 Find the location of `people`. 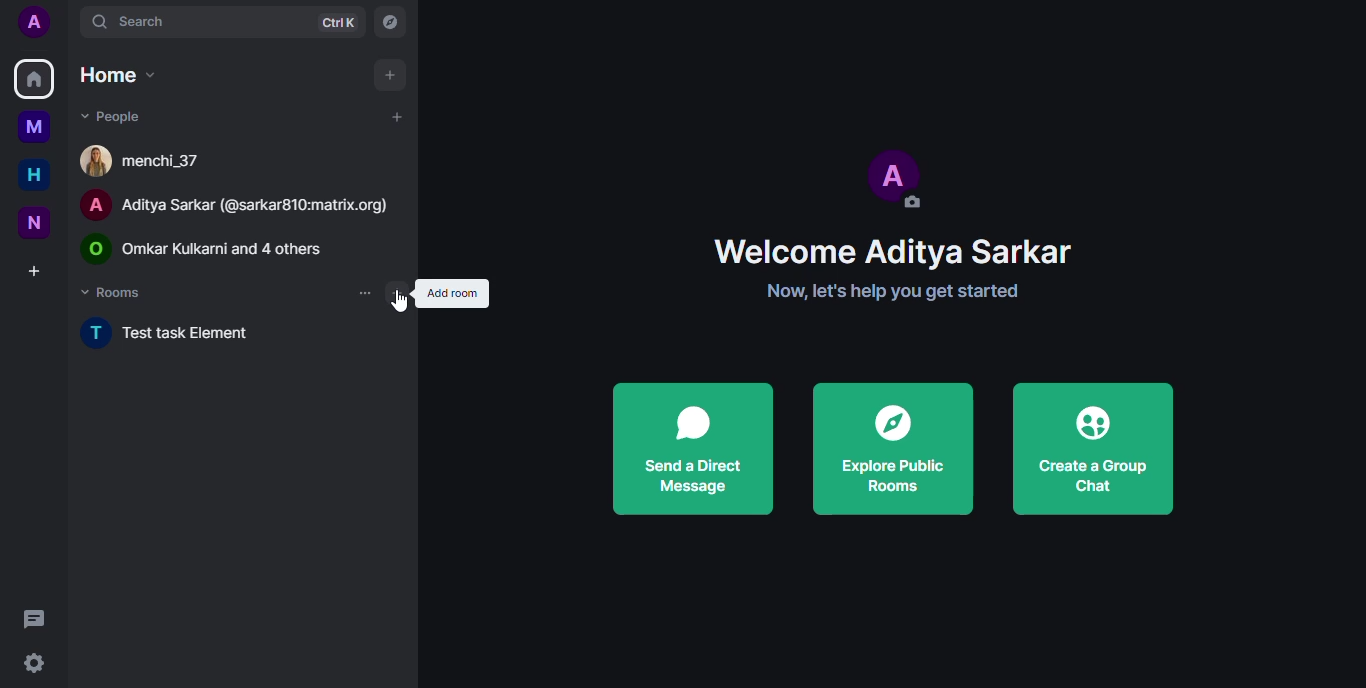

people is located at coordinates (110, 115).